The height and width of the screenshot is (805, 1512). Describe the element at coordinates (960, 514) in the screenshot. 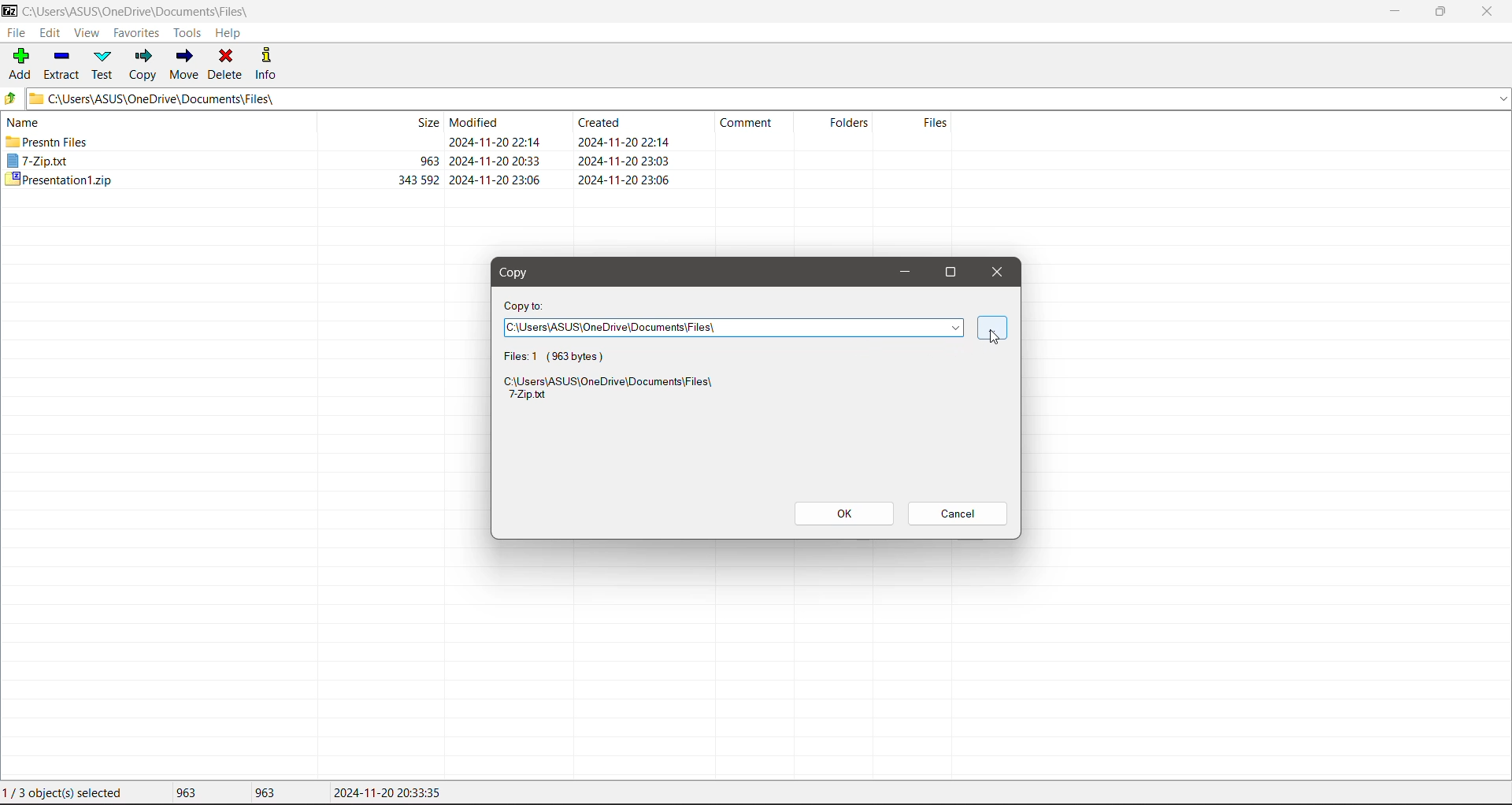

I see `Cancel` at that location.